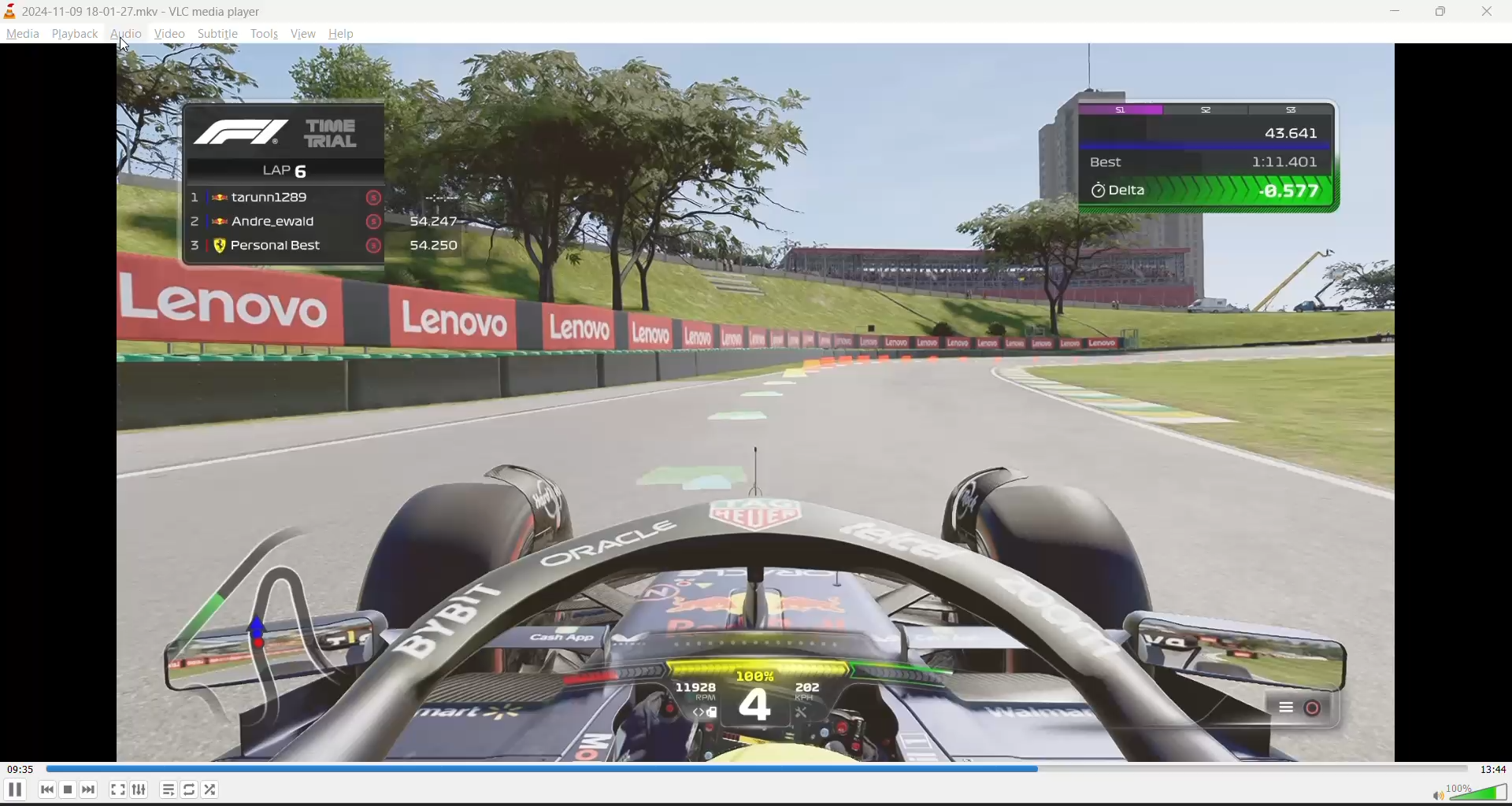 The width and height of the screenshot is (1512, 806). Describe the element at coordinates (756, 400) in the screenshot. I see `preview` at that location.